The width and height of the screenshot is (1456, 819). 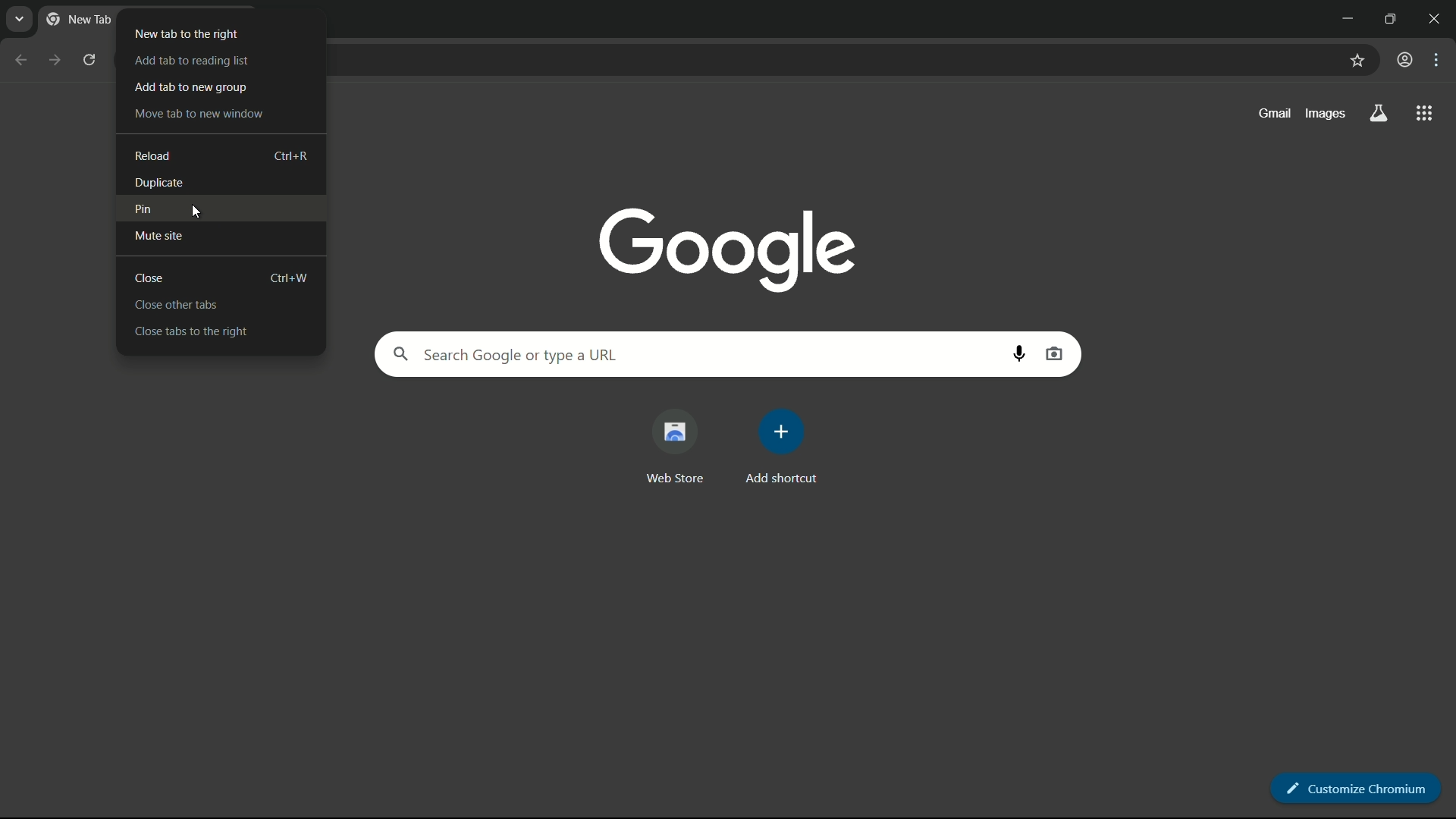 What do you see at coordinates (673, 447) in the screenshot?
I see `web store` at bounding box center [673, 447].